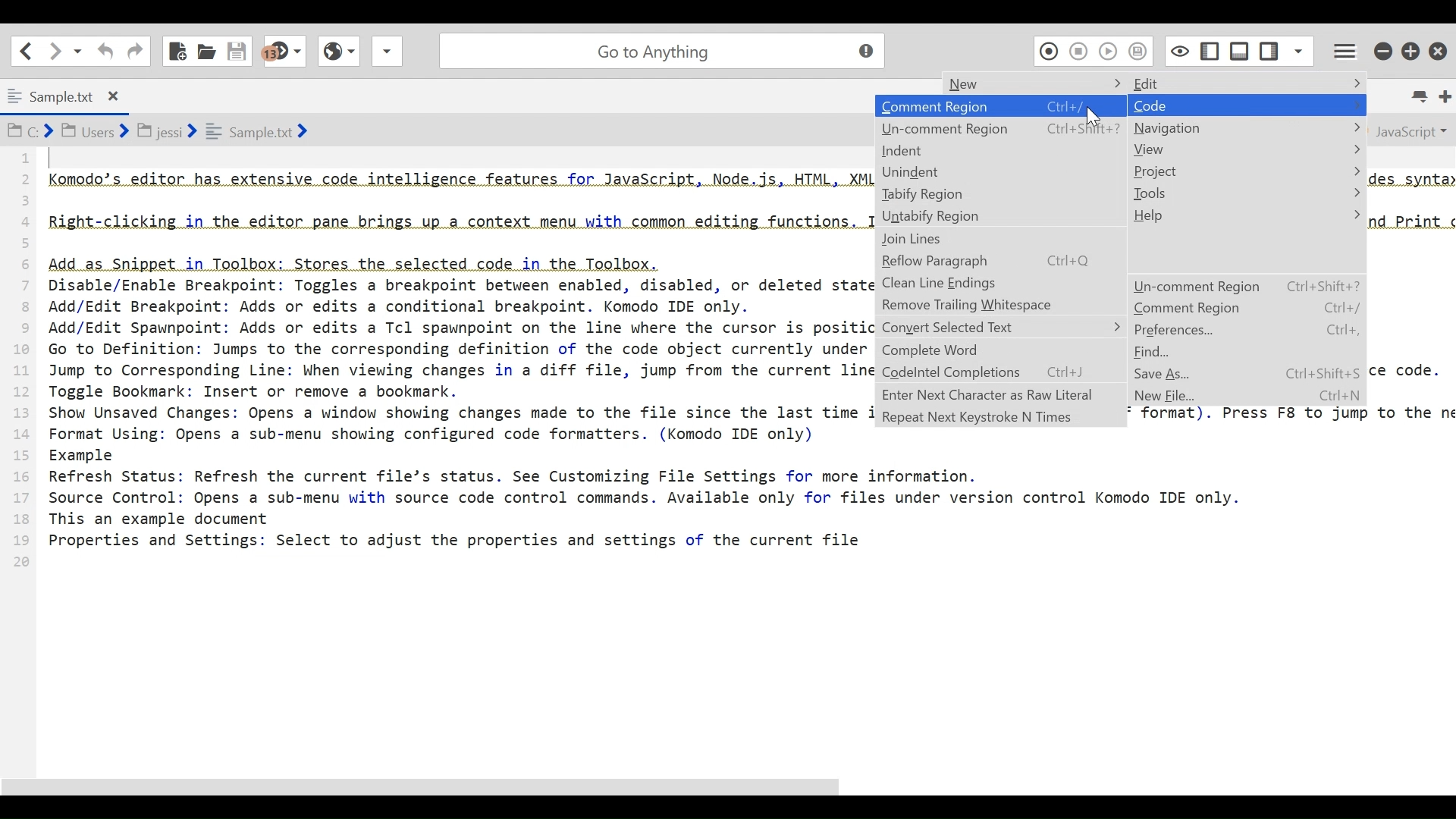  I want to click on dropdown, so click(387, 55).